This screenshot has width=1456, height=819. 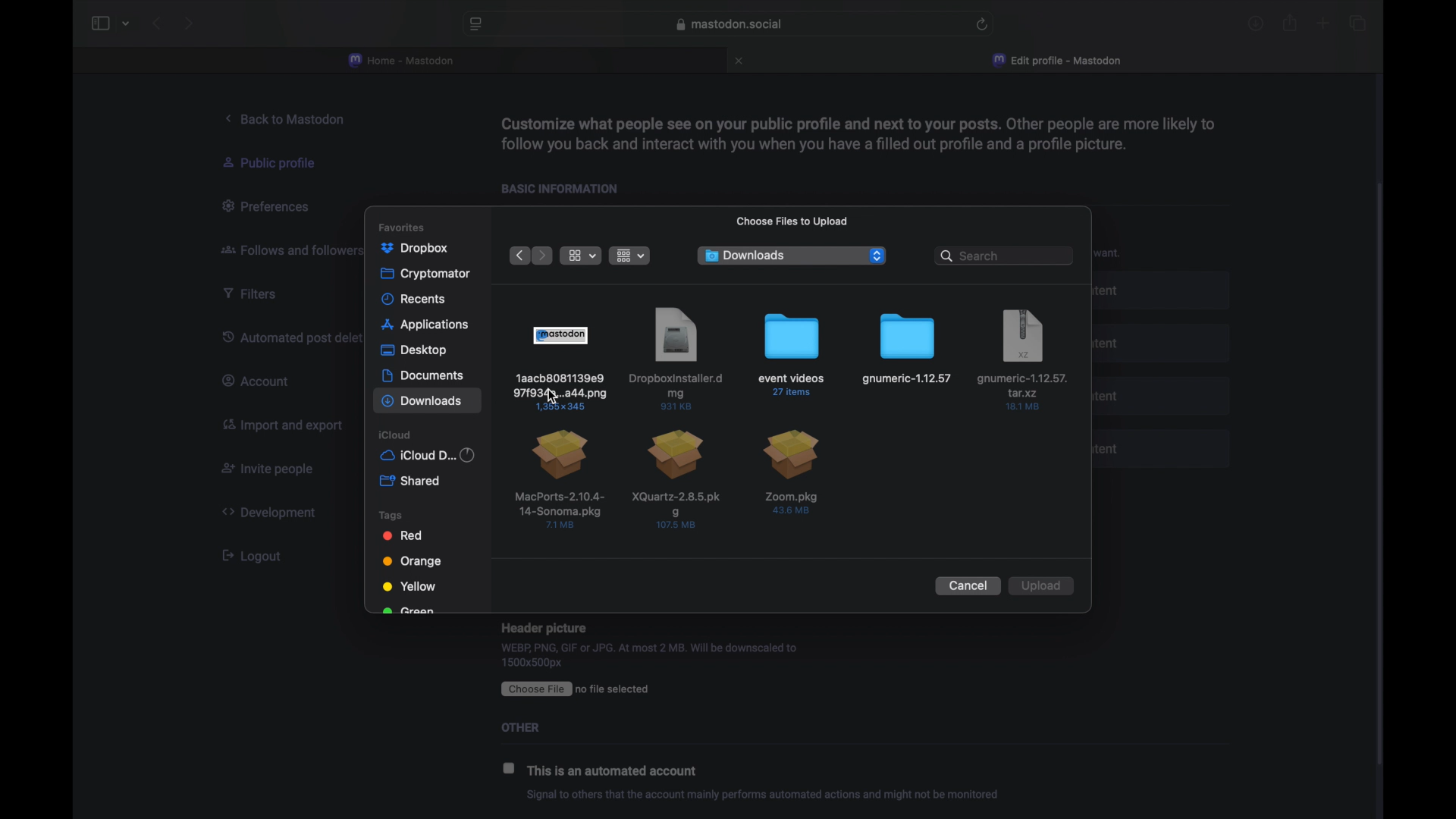 What do you see at coordinates (126, 24) in the screenshot?
I see `tab group picker` at bounding box center [126, 24].